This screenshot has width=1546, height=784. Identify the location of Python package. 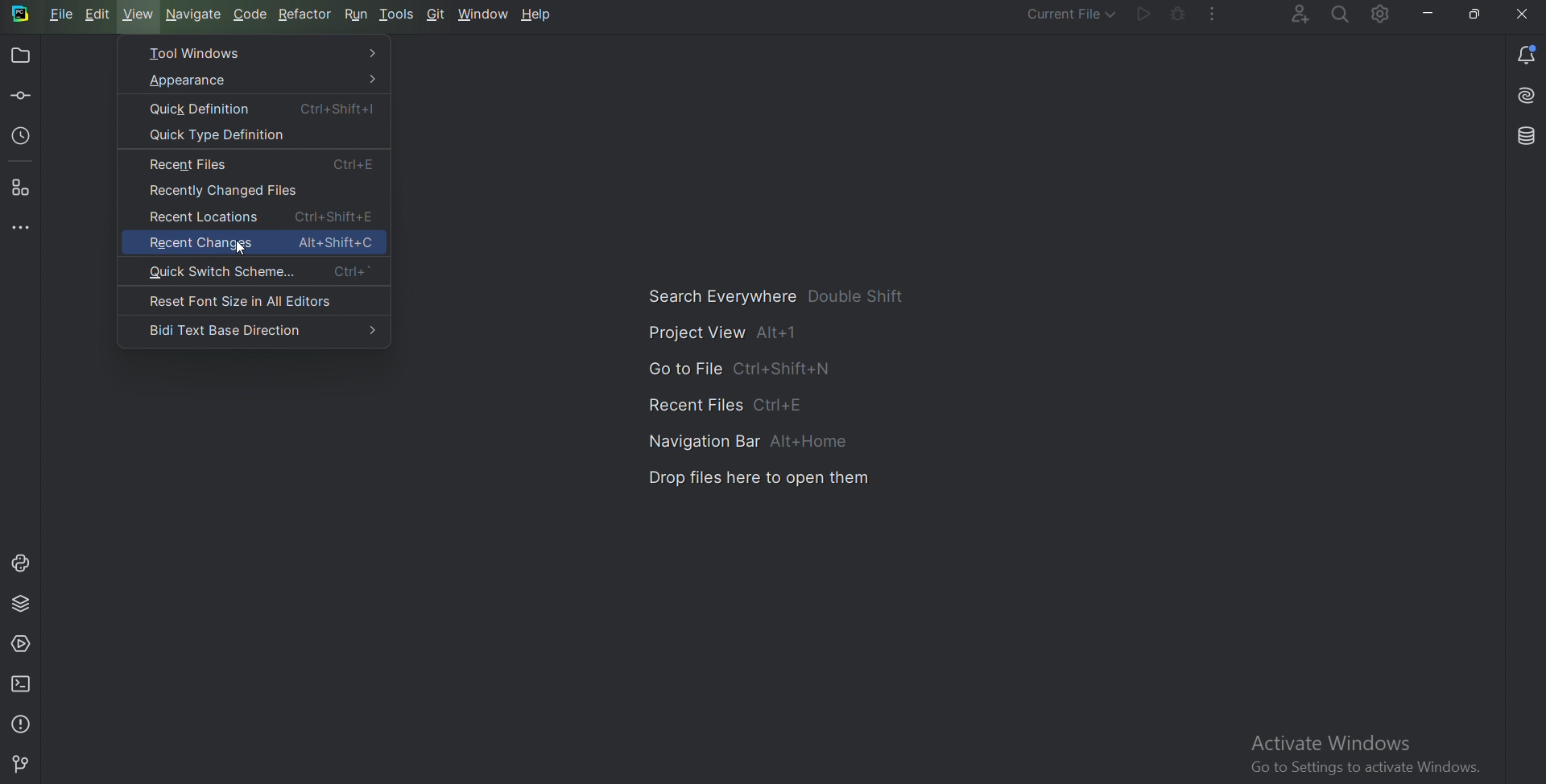
(23, 603).